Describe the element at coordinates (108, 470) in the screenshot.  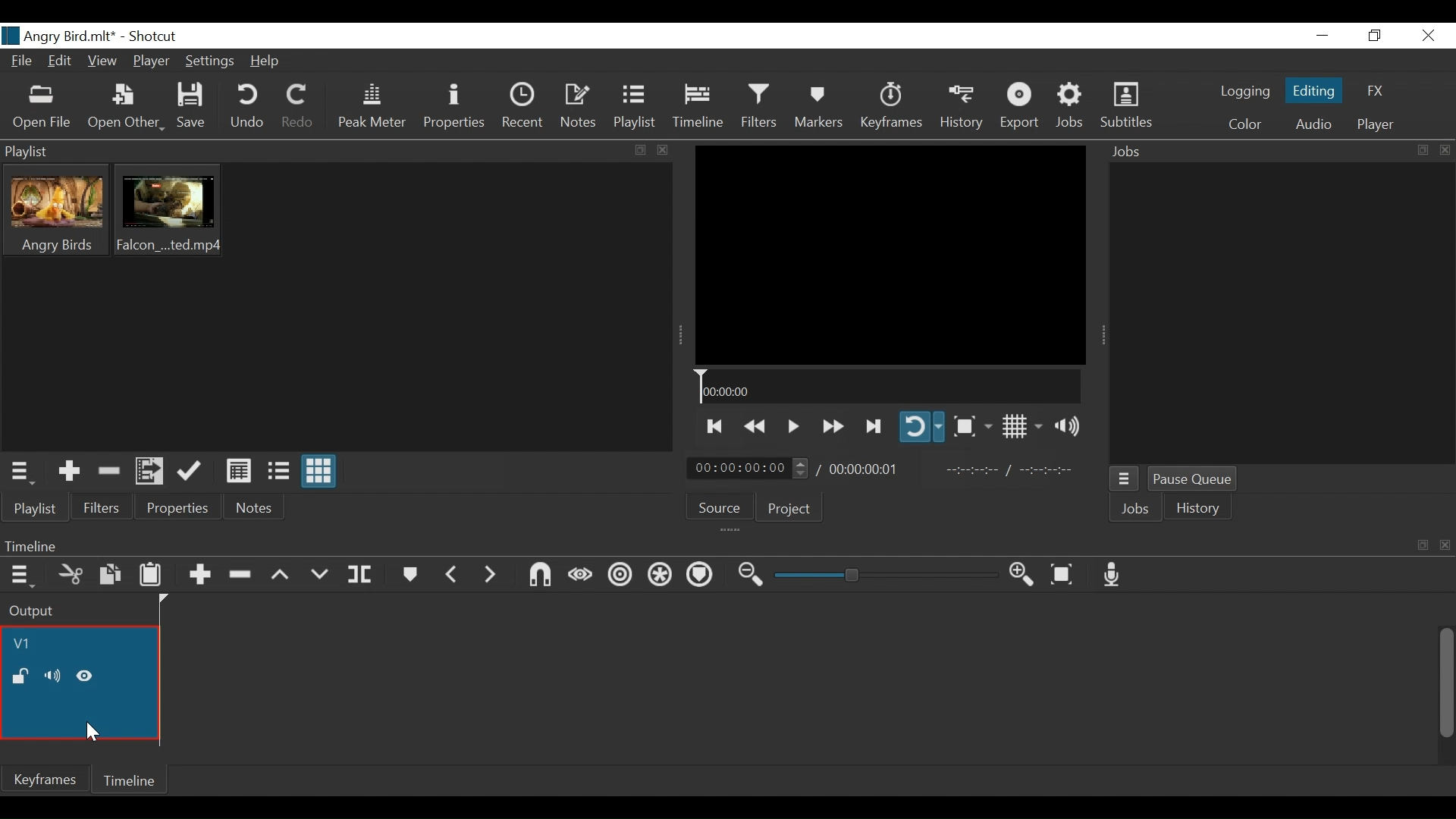
I see `Remove cut` at that location.